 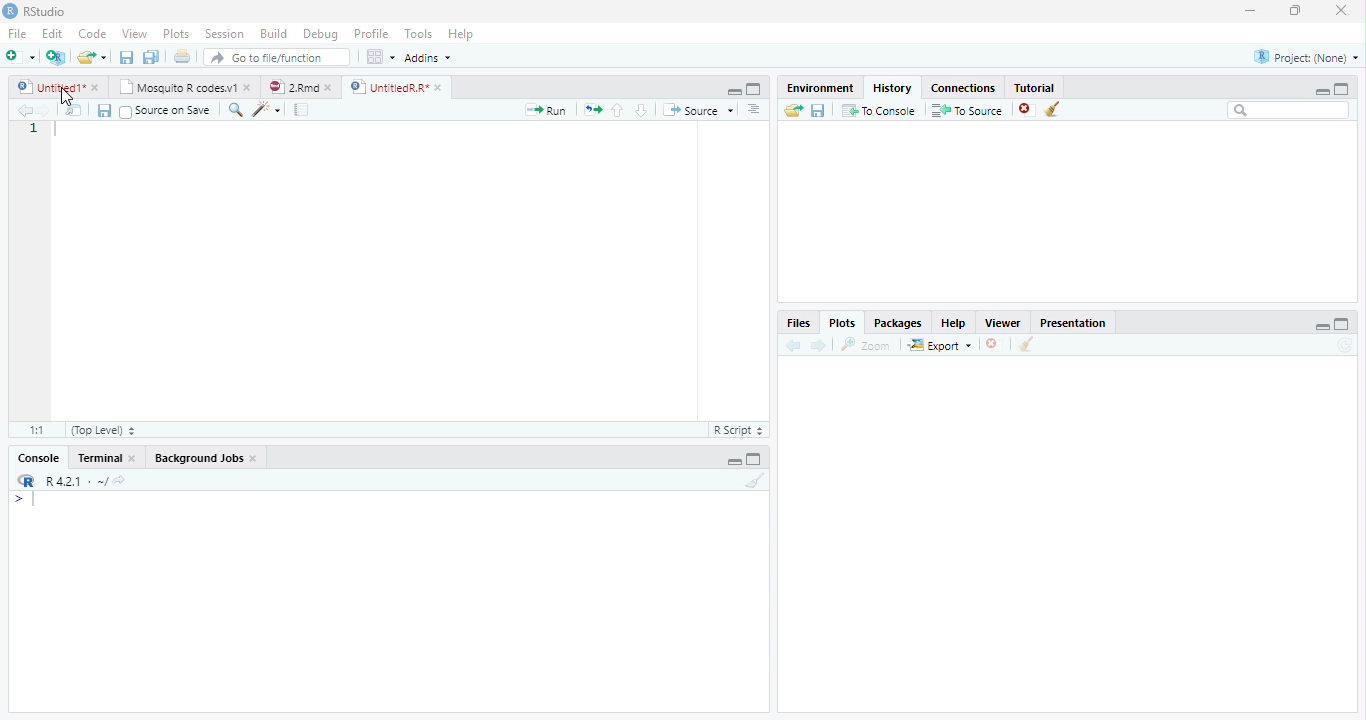 What do you see at coordinates (33, 429) in the screenshot?
I see `1:1` at bounding box center [33, 429].